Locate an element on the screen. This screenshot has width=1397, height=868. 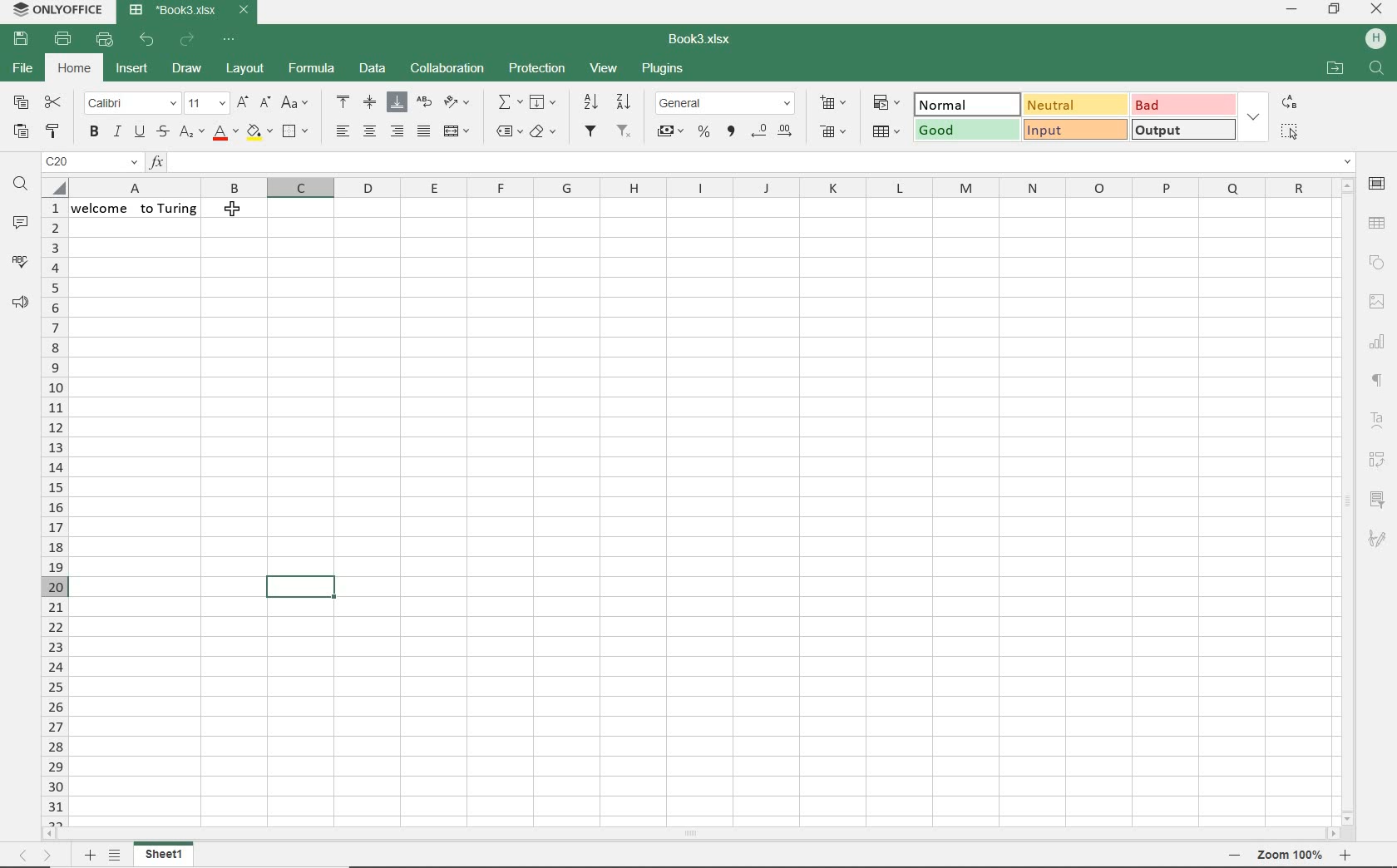
scrollbar is located at coordinates (691, 834).